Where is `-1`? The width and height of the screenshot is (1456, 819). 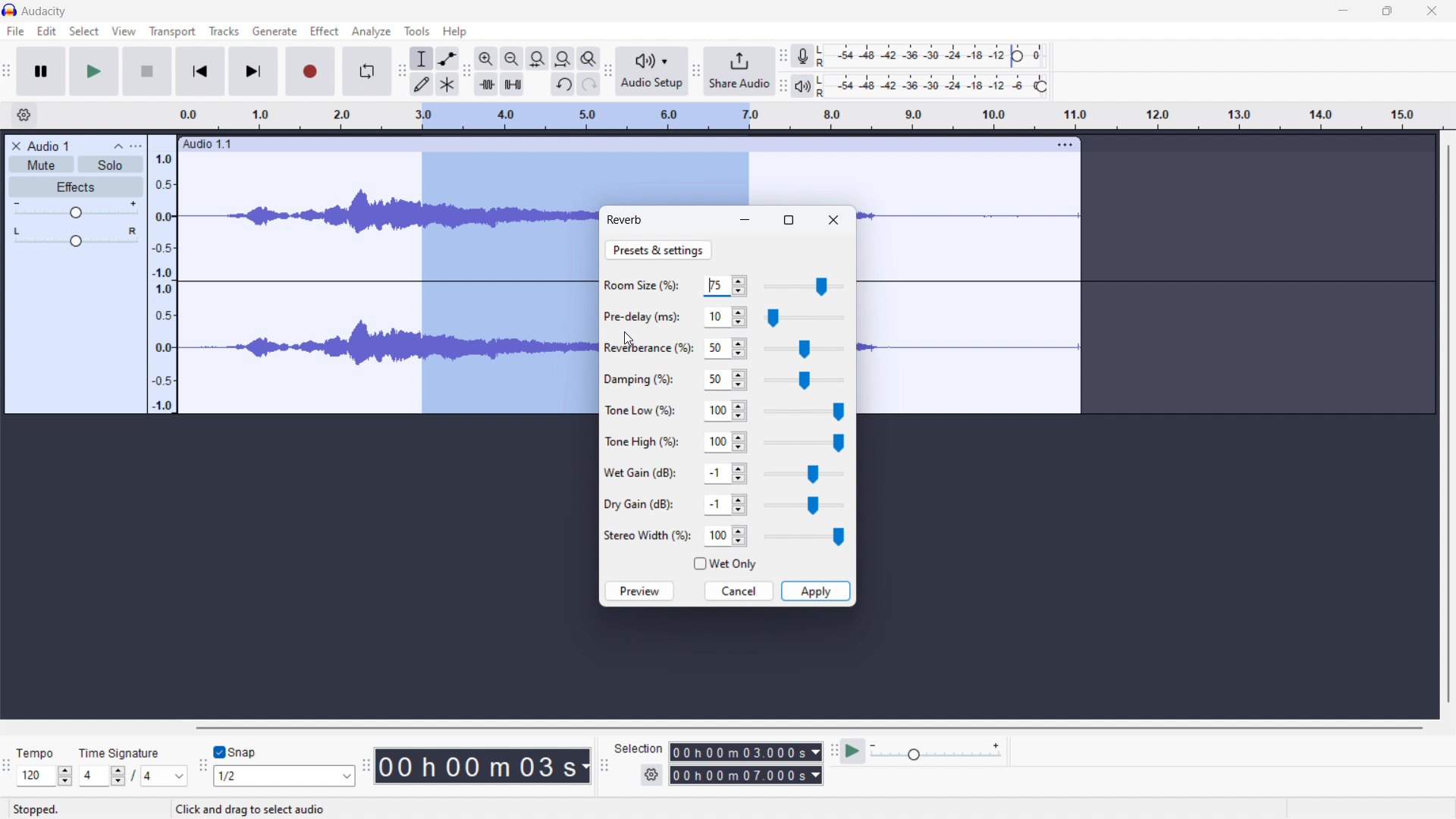 -1 is located at coordinates (726, 473).